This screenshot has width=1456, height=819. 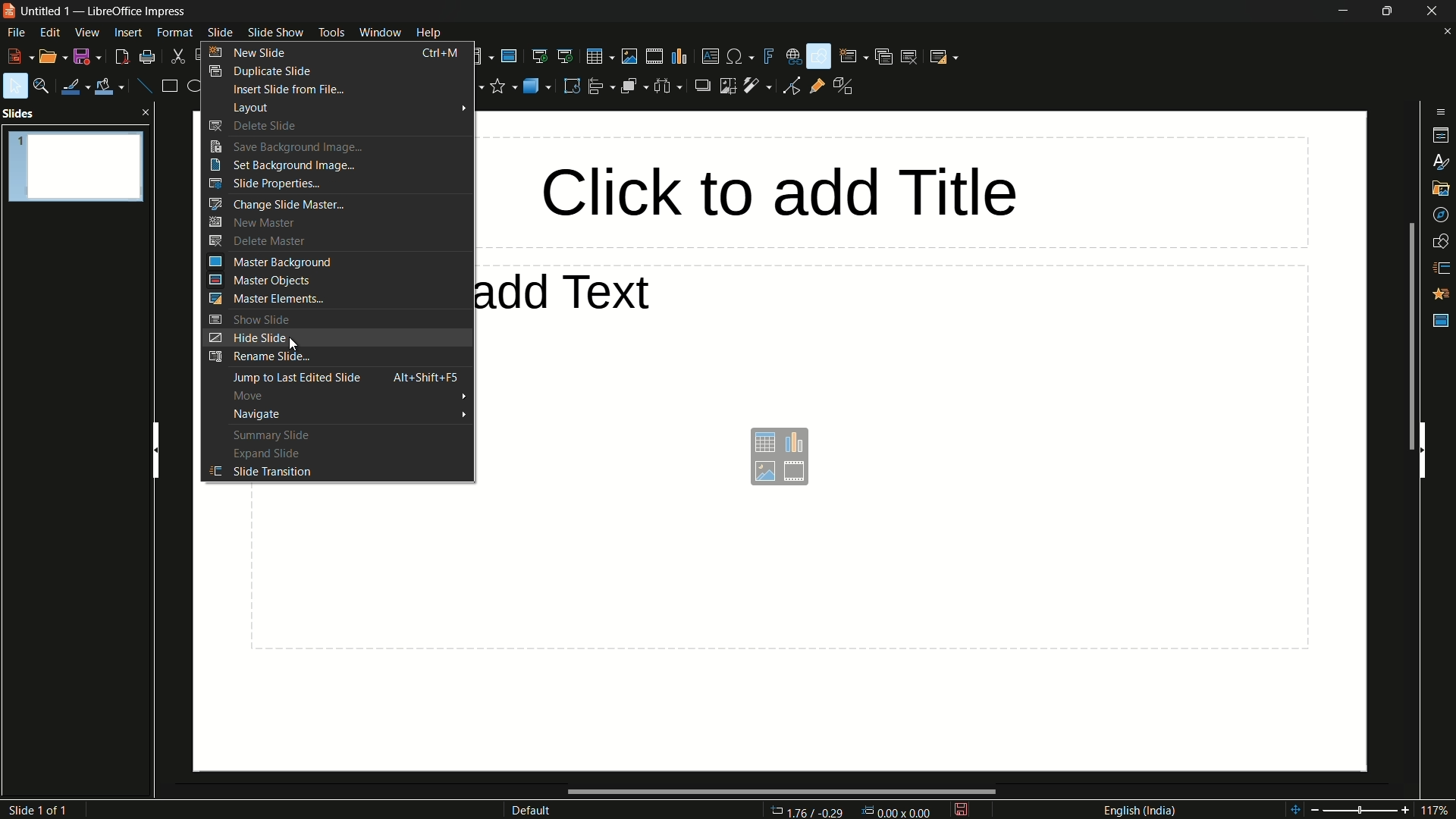 I want to click on new slide, so click(x=246, y=52).